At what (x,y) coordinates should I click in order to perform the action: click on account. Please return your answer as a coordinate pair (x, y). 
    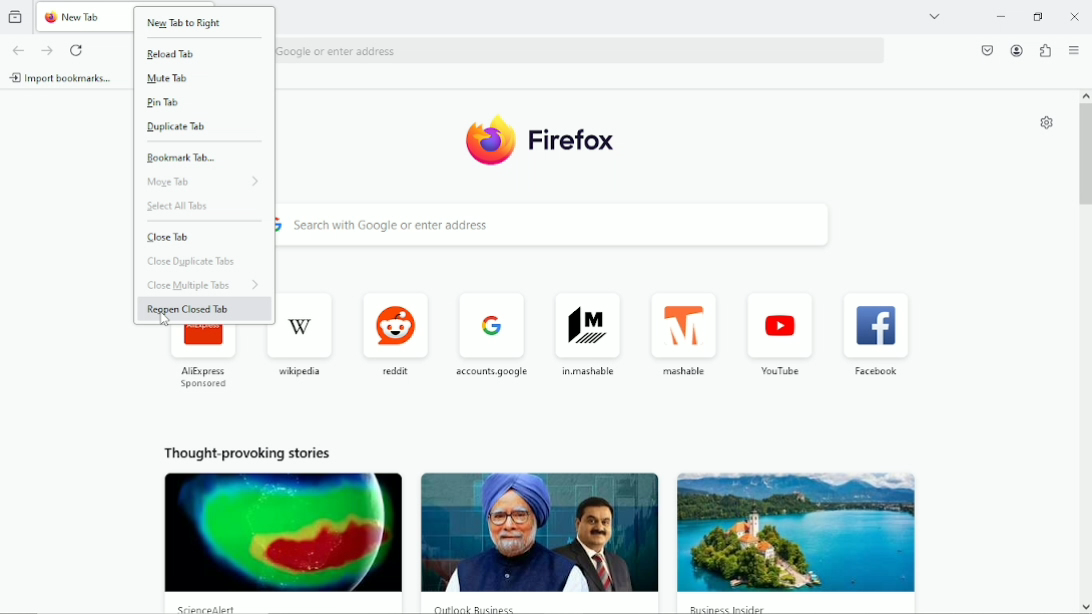
    Looking at the image, I should click on (1018, 49).